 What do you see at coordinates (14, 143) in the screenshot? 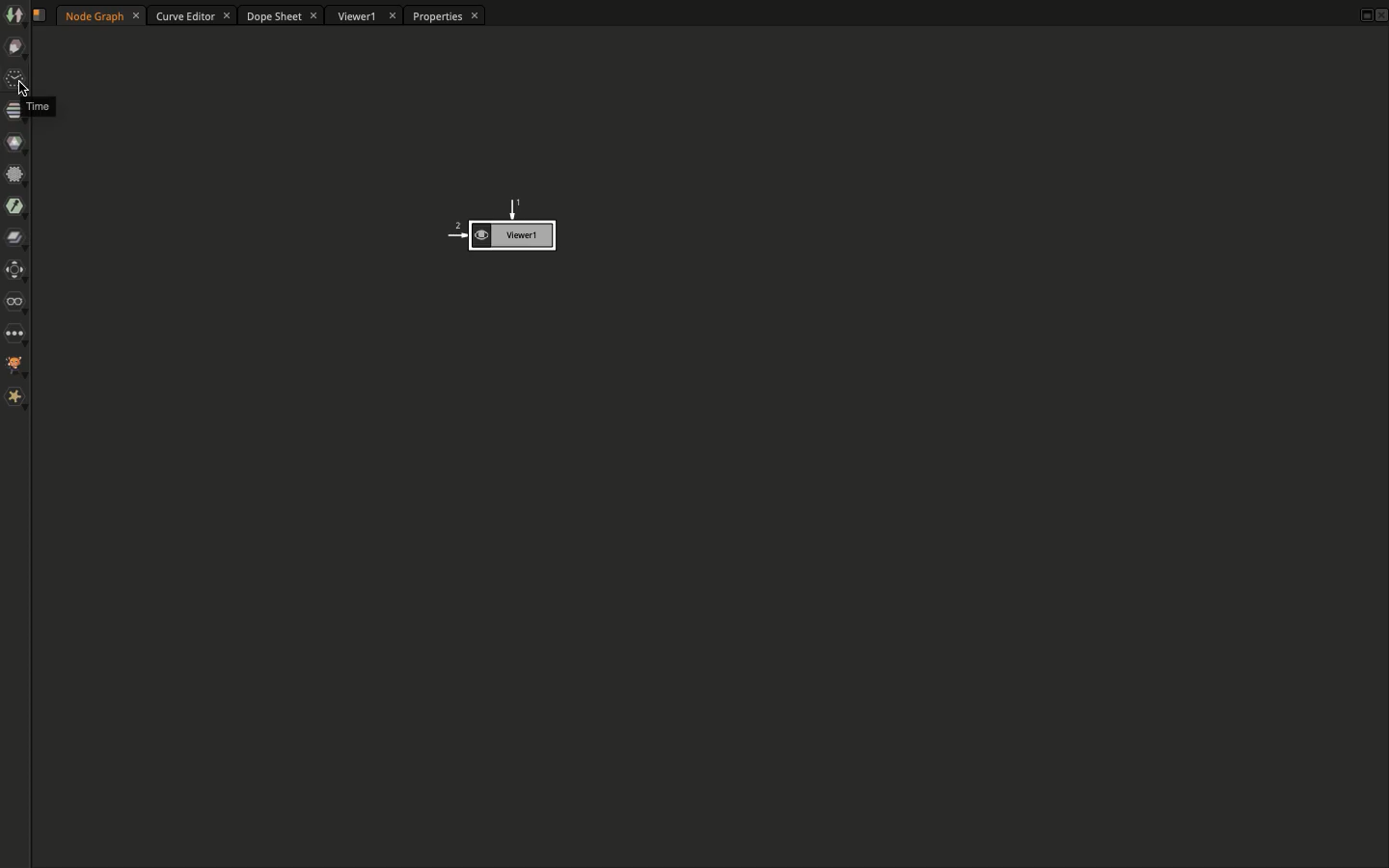
I see `Color` at bounding box center [14, 143].